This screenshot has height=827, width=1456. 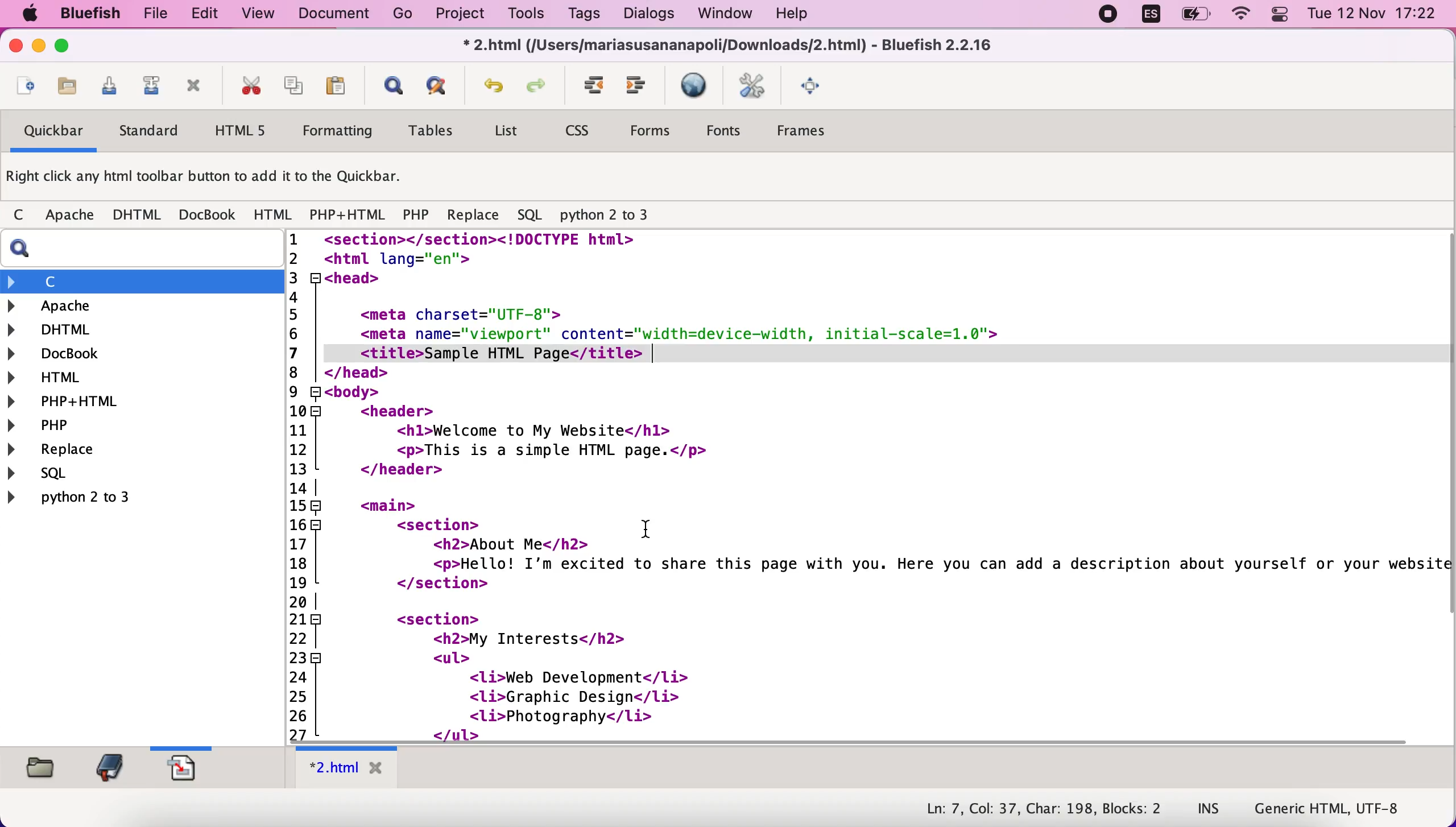 What do you see at coordinates (139, 402) in the screenshot?
I see `php+html` at bounding box center [139, 402].